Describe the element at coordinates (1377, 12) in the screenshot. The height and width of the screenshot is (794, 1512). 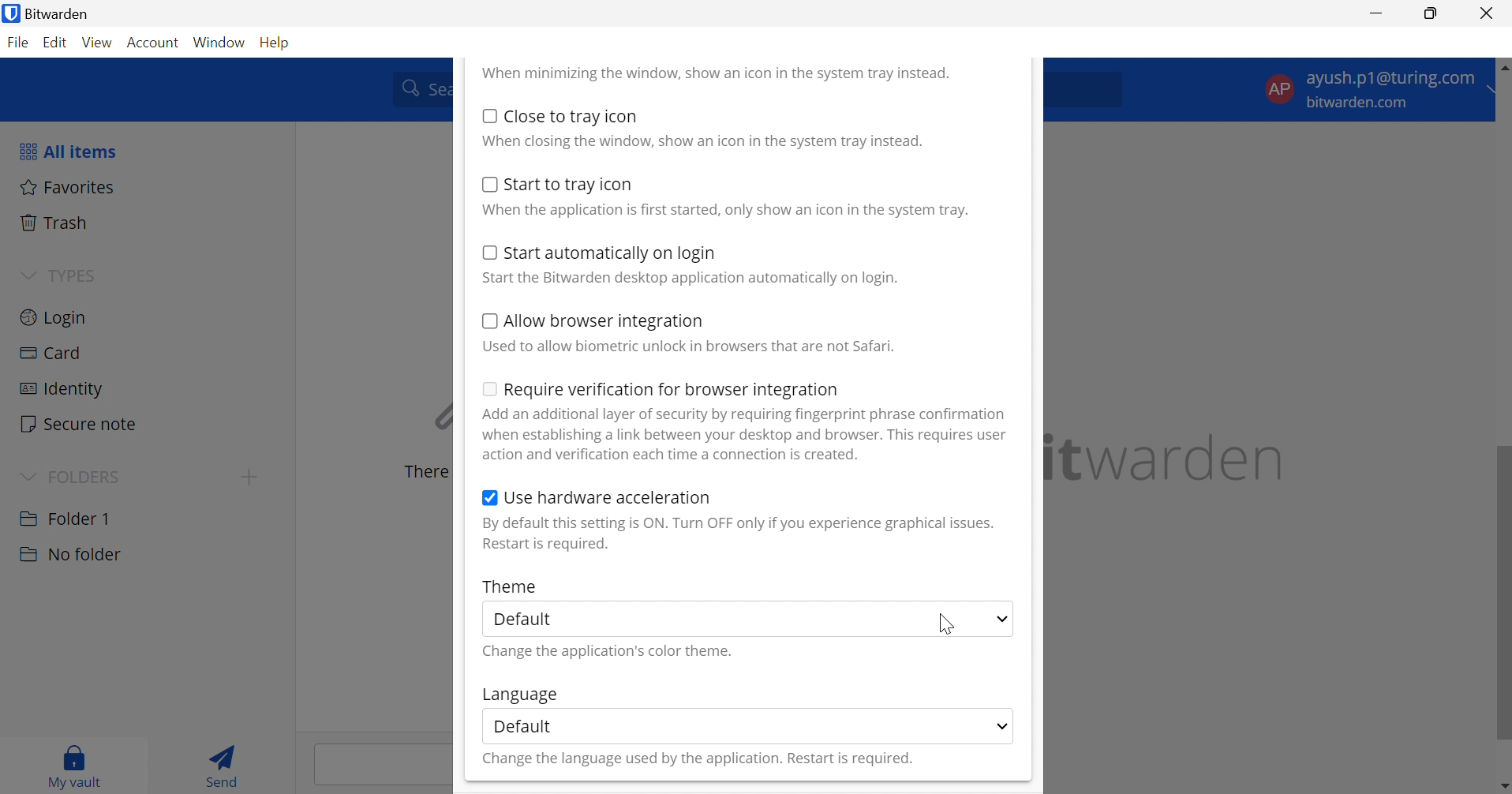
I see `Minimize` at that location.